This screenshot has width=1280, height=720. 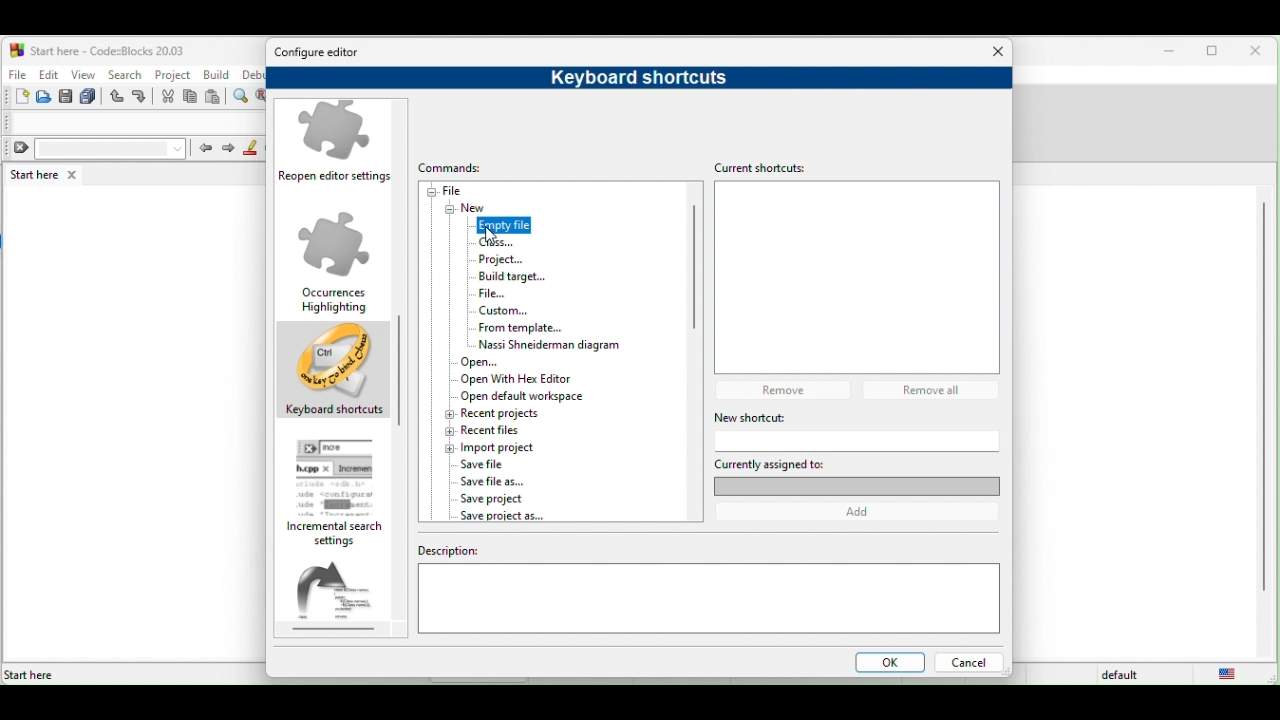 What do you see at coordinates (474, 208) in the screenshot?
I see `new` at bounding box center [474, 208].